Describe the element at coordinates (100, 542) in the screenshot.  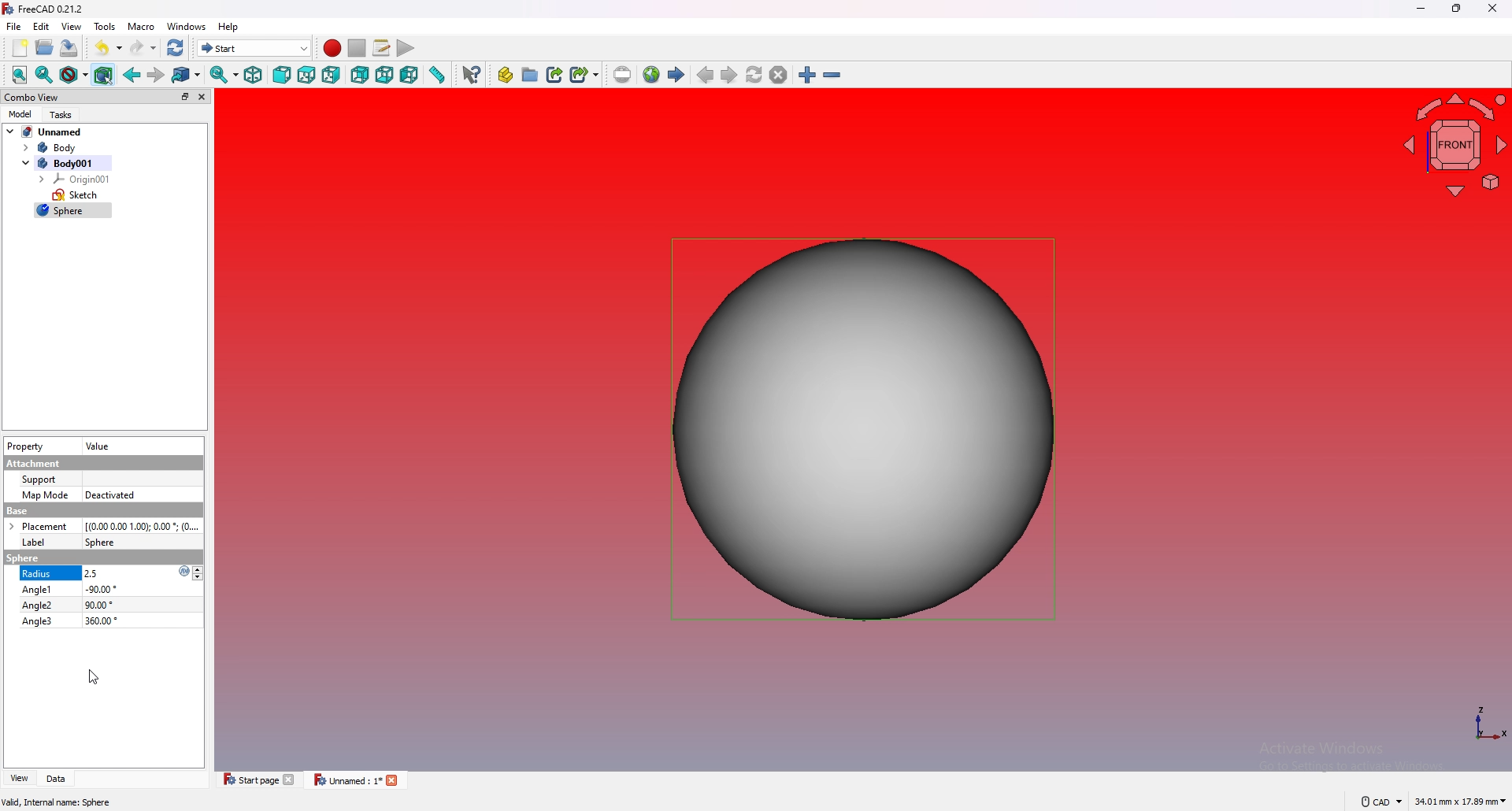
I see `sphere` at that location.